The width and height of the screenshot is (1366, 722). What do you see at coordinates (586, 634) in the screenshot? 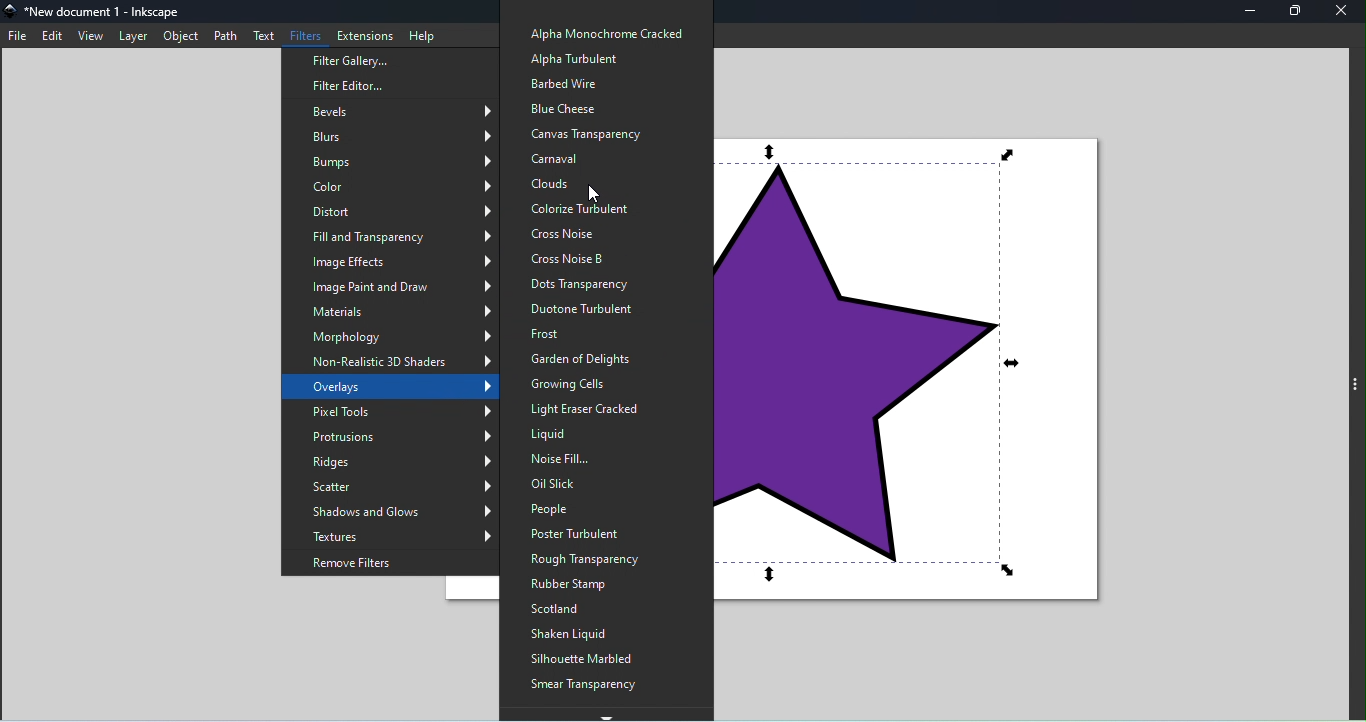
I see `Shaken liquid` at bounding box center [586, 634].